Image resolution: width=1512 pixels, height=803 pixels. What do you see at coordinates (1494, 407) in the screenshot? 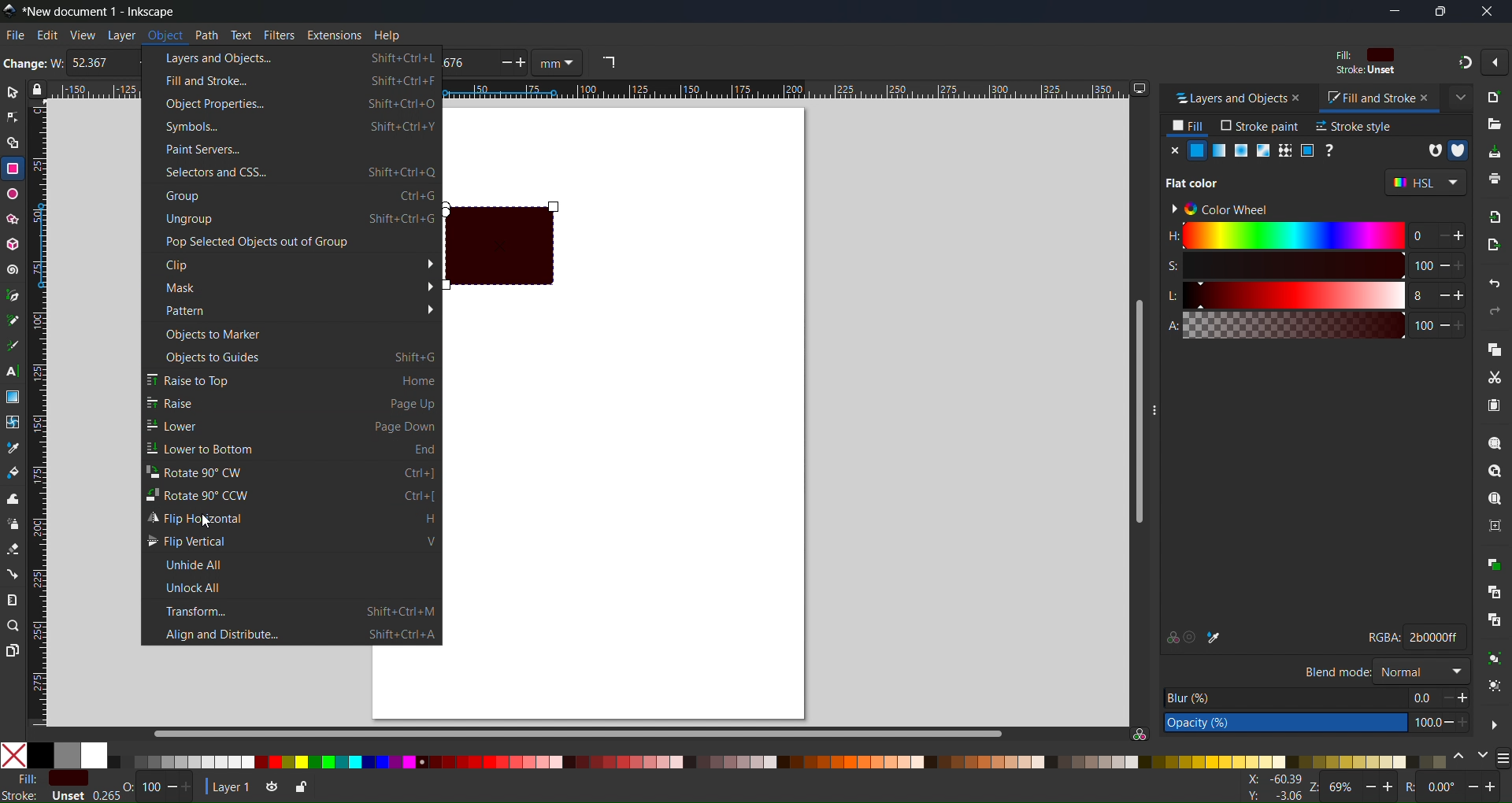
I see `Paste` at bounding box center [1494, 407].